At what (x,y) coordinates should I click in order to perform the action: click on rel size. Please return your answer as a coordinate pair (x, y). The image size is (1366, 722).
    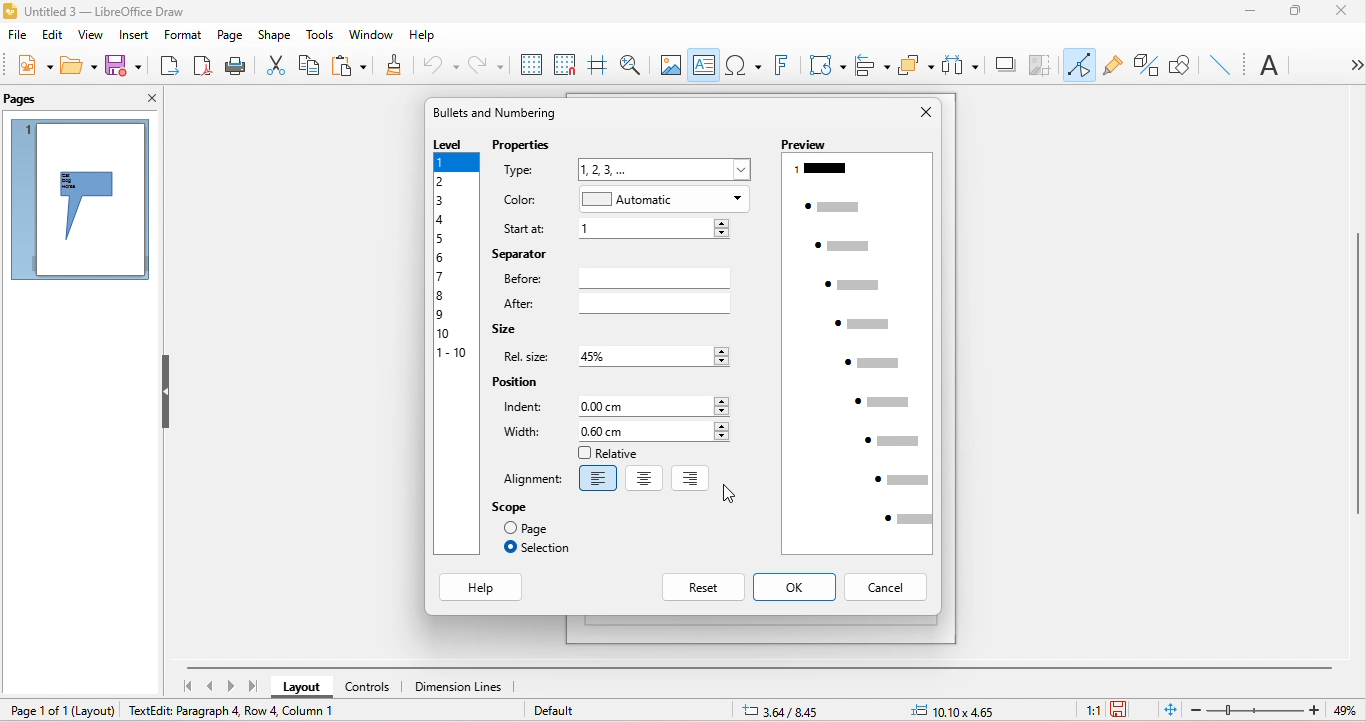
    Looking at the image, I should click on (530, 356).